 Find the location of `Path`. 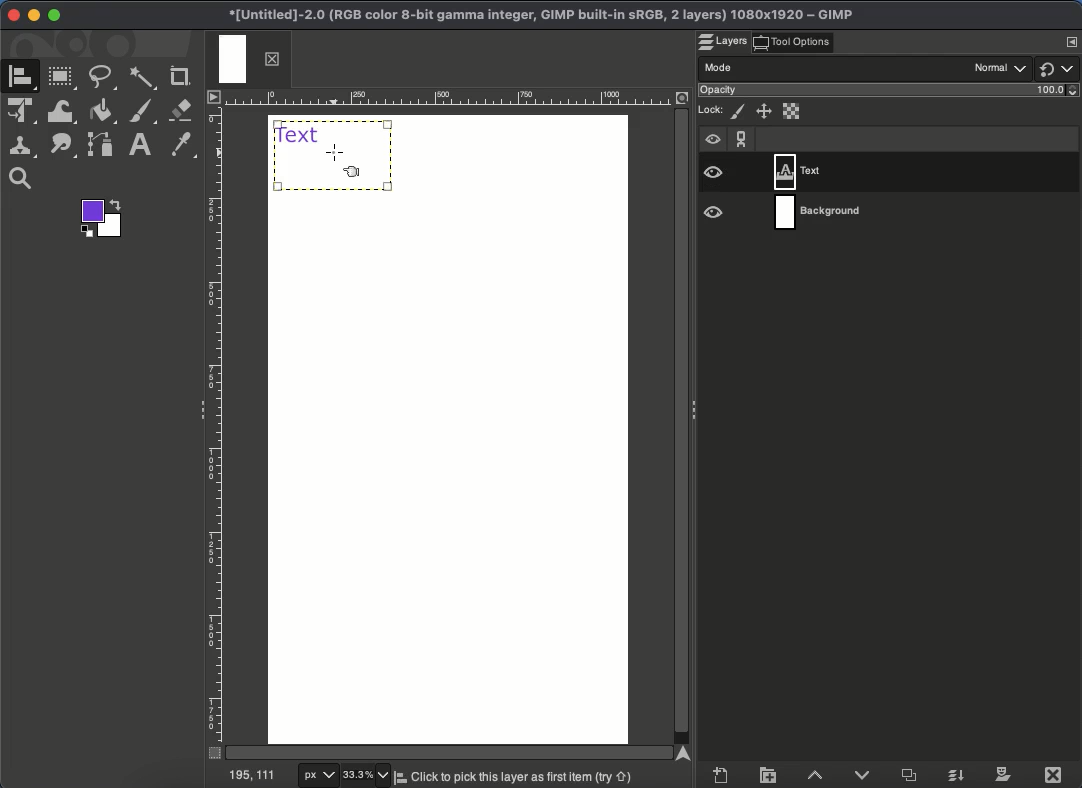

Path is located at coordinates (64, 146).